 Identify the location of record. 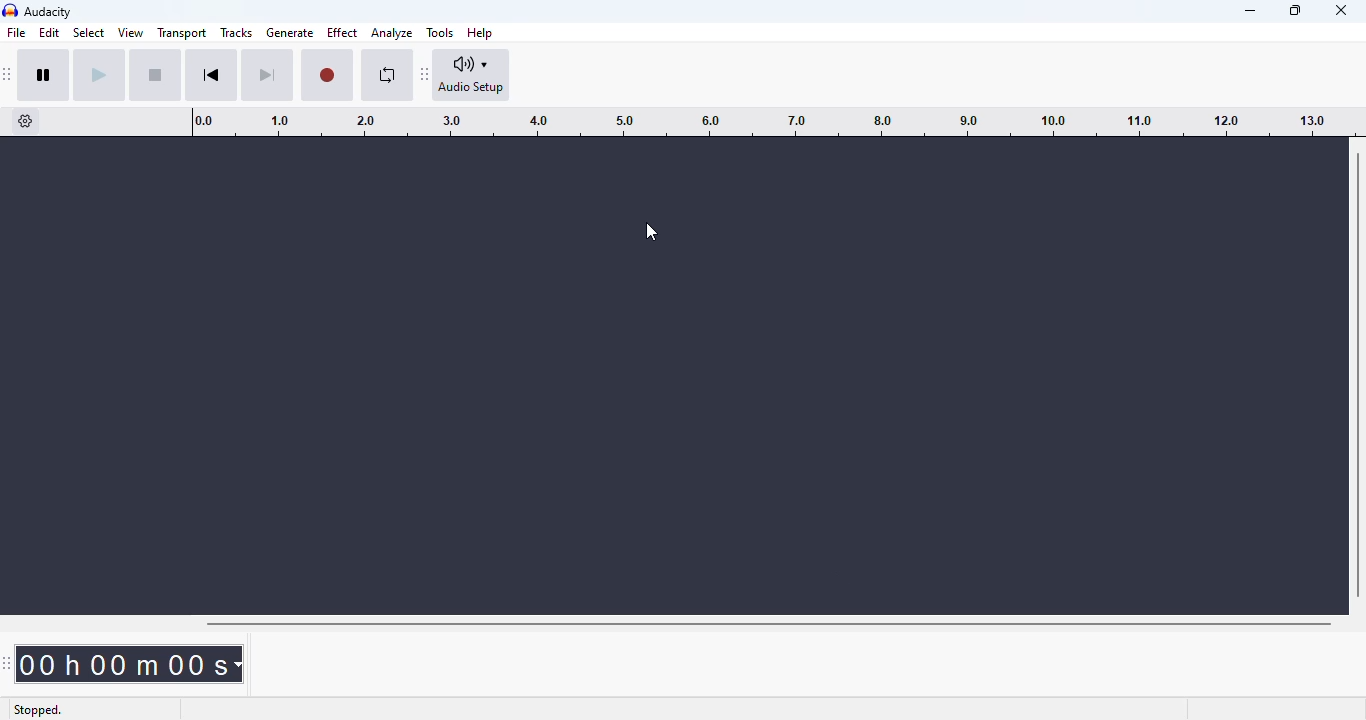
(327, 76).